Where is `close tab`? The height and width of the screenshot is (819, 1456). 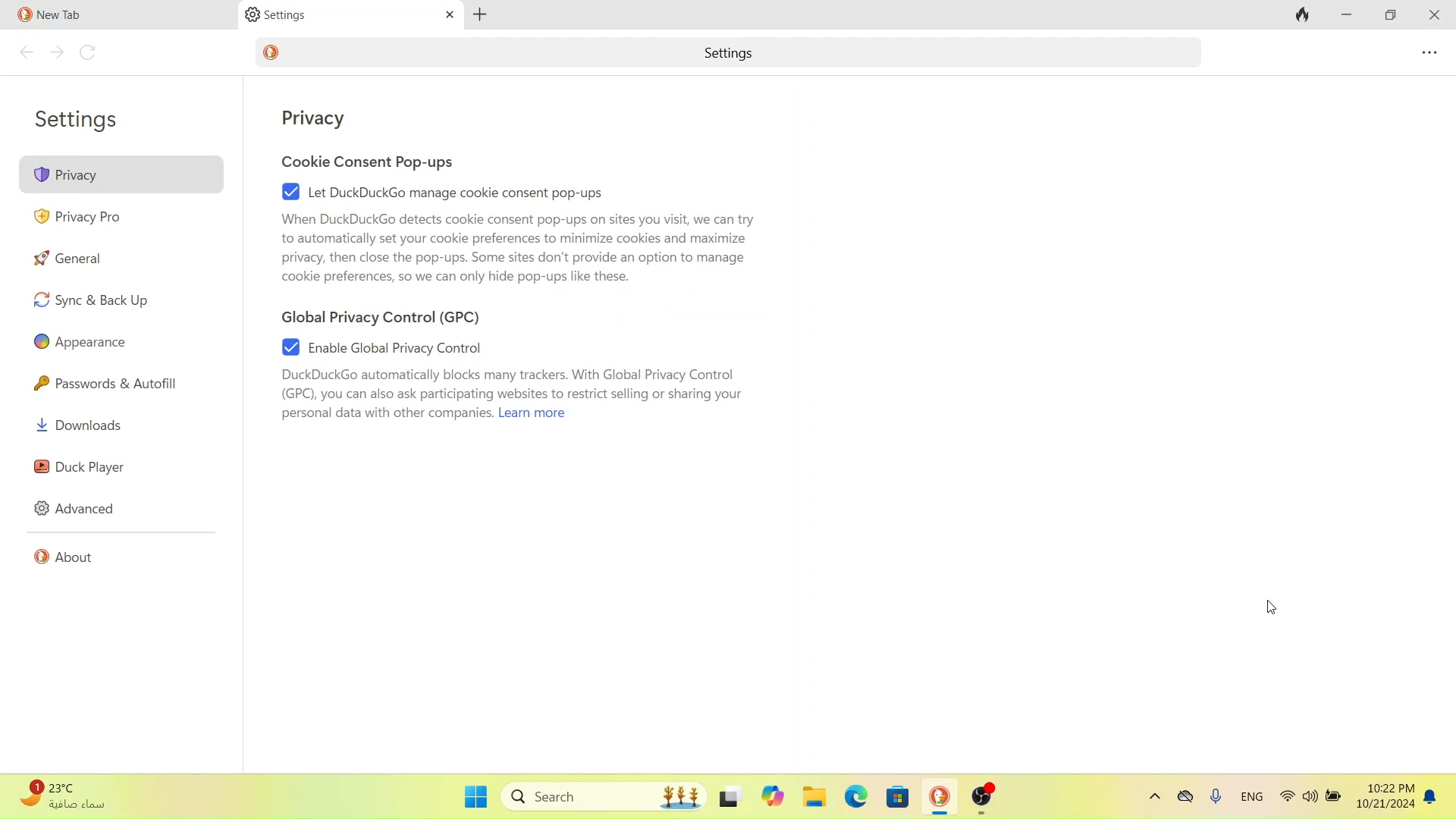 close tab is located at coordinates (221, 15).